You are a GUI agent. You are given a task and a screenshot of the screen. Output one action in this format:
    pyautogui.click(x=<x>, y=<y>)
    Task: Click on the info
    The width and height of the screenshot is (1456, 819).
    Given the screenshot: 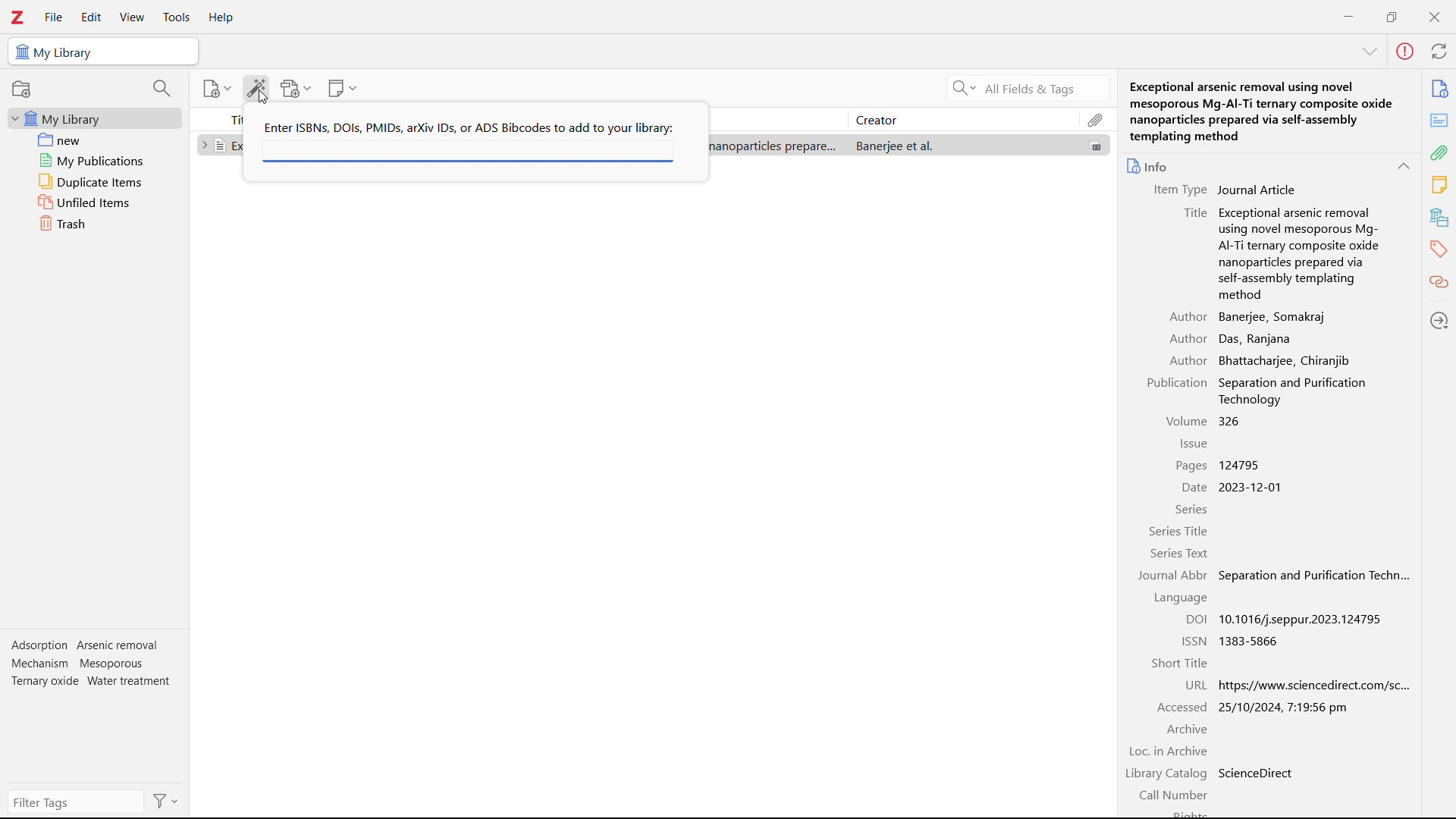 What is the action you would take?
    pyautogui.click(x=1149, y=165)
    